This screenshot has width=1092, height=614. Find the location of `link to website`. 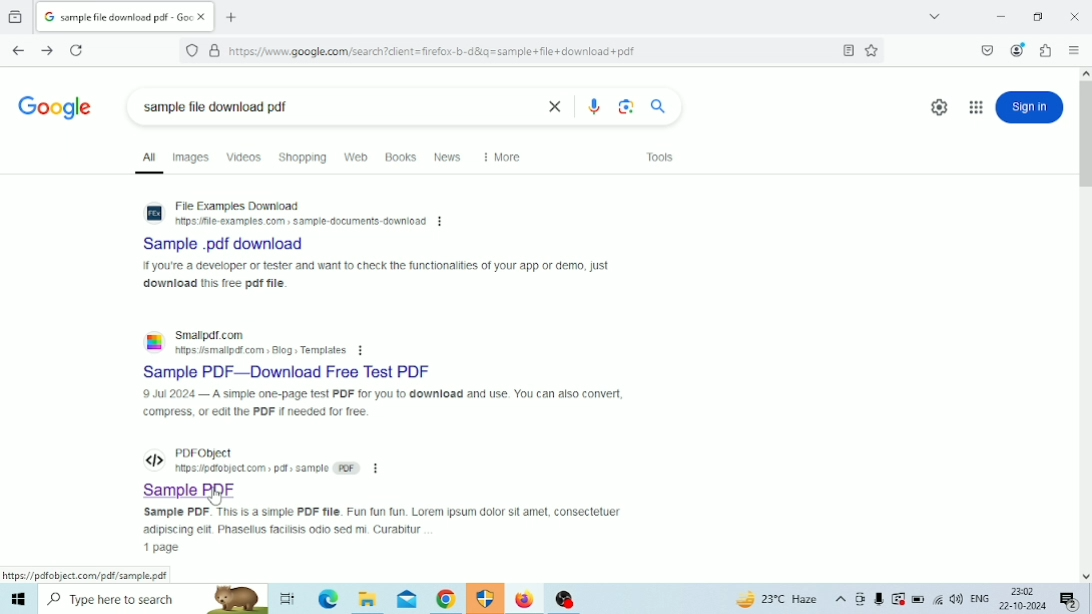

link to website is located at coordinates (260, 351).